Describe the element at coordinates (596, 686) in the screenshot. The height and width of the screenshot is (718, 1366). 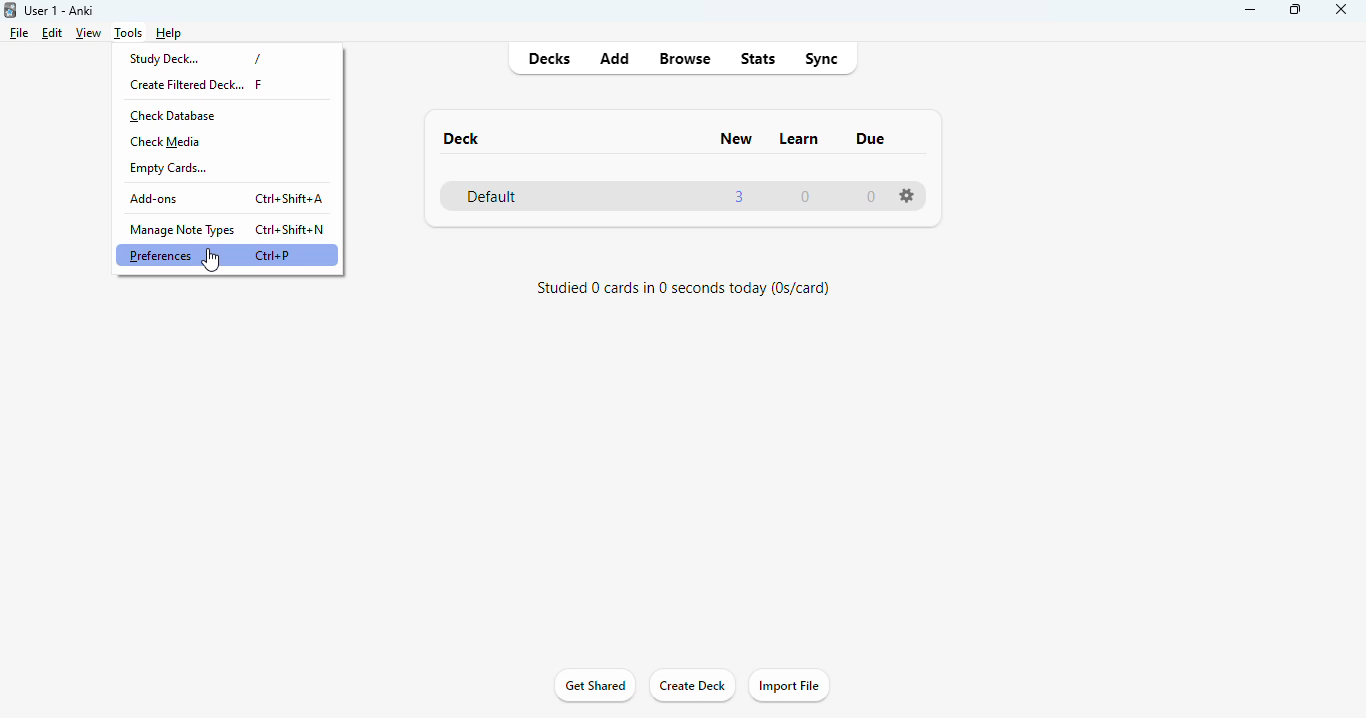
I see `get shared` at that location.